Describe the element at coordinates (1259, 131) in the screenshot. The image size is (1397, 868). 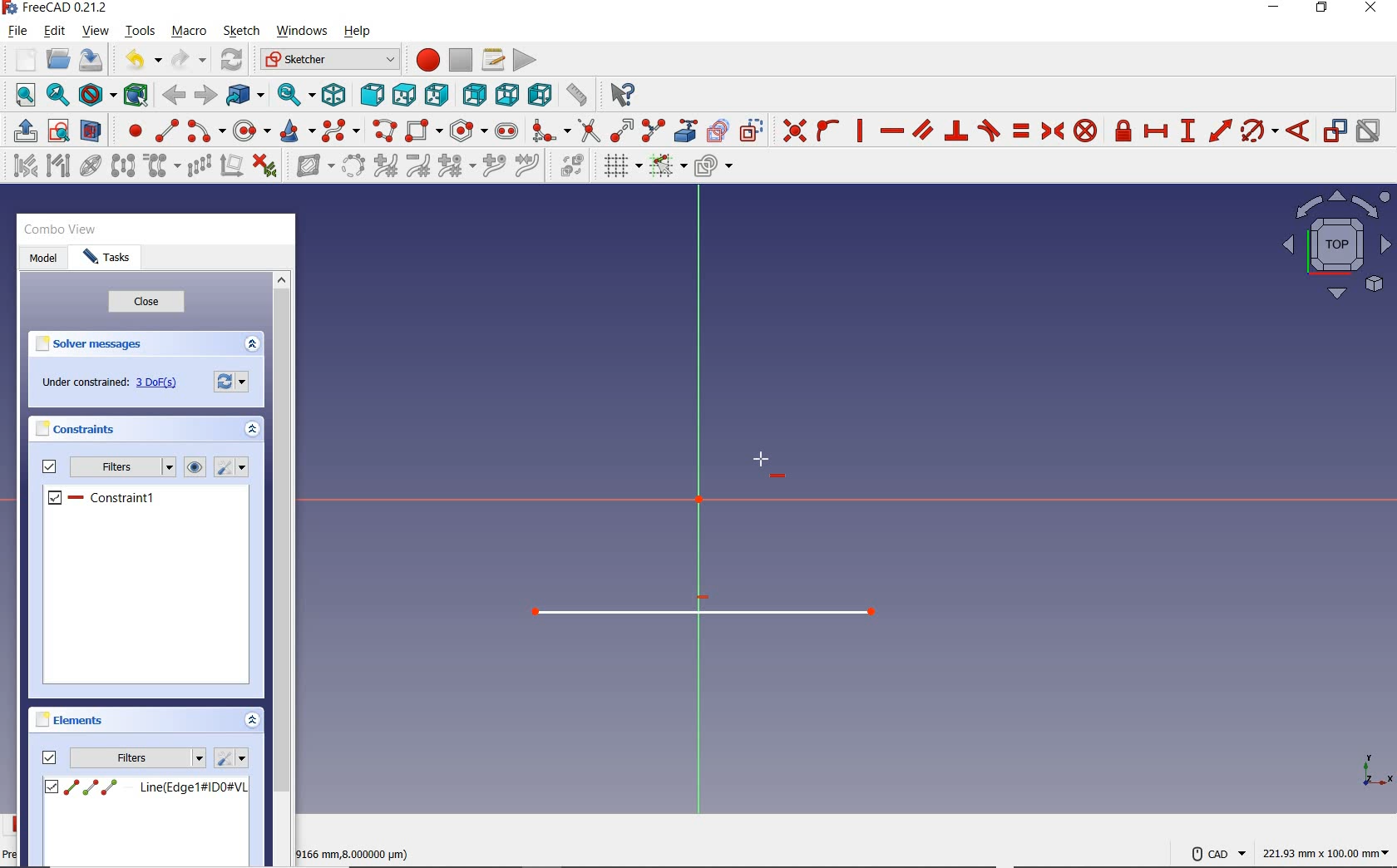
I see `CONSTRAIN ARC/CIRCLE` at that location.